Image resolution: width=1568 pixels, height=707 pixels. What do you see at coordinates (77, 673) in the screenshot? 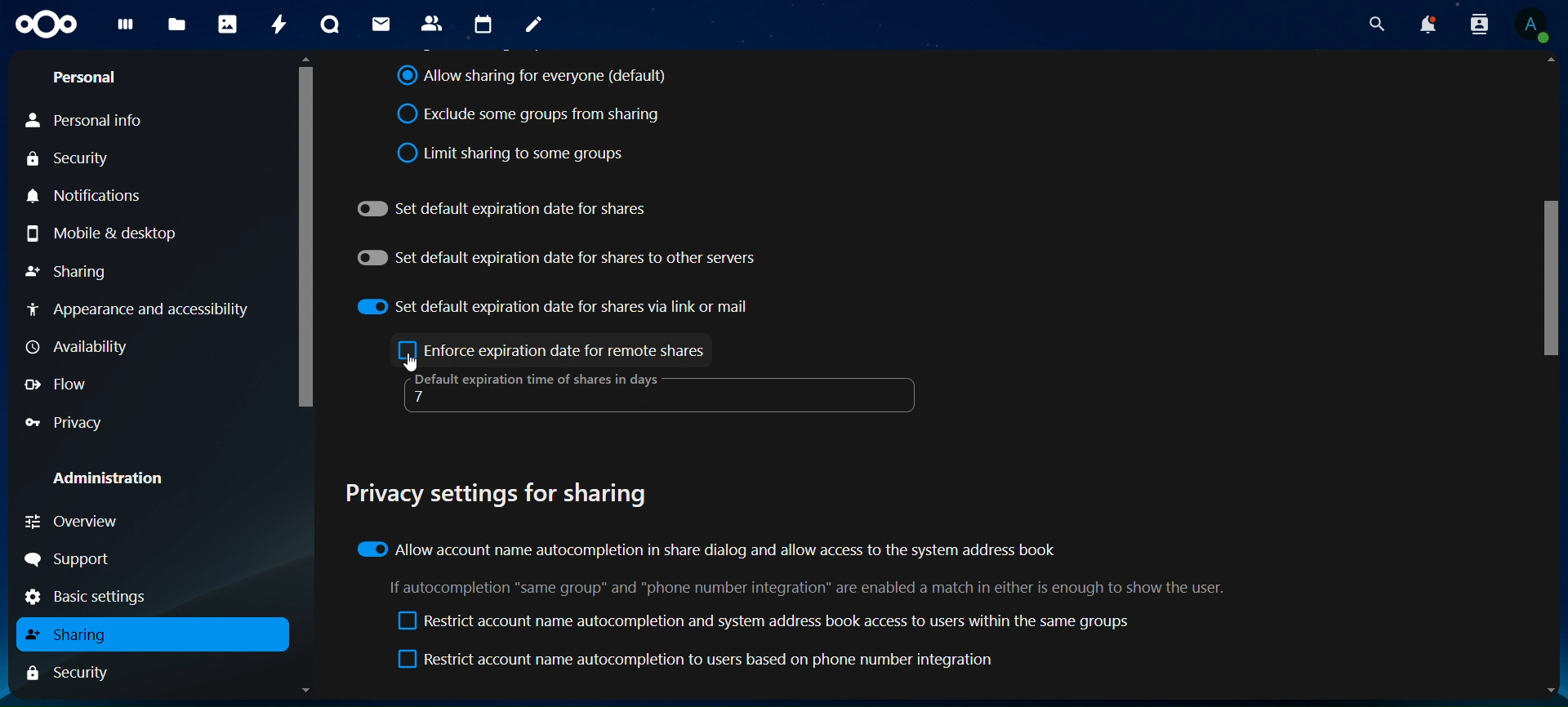
I see `security` at bounding box center [77, 673].